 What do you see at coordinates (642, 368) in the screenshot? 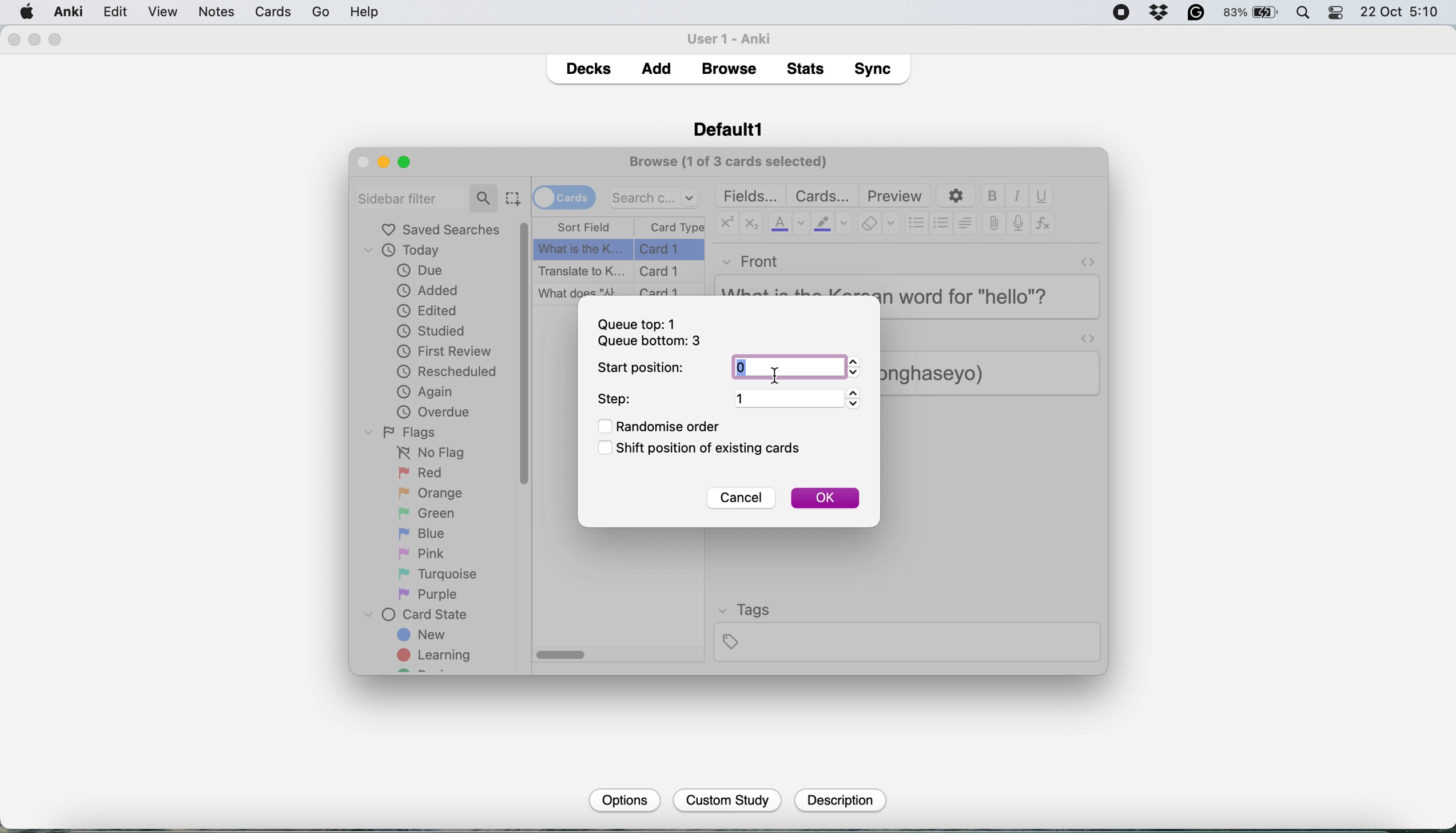
I see `start position:` at bounding box center [642, 368].